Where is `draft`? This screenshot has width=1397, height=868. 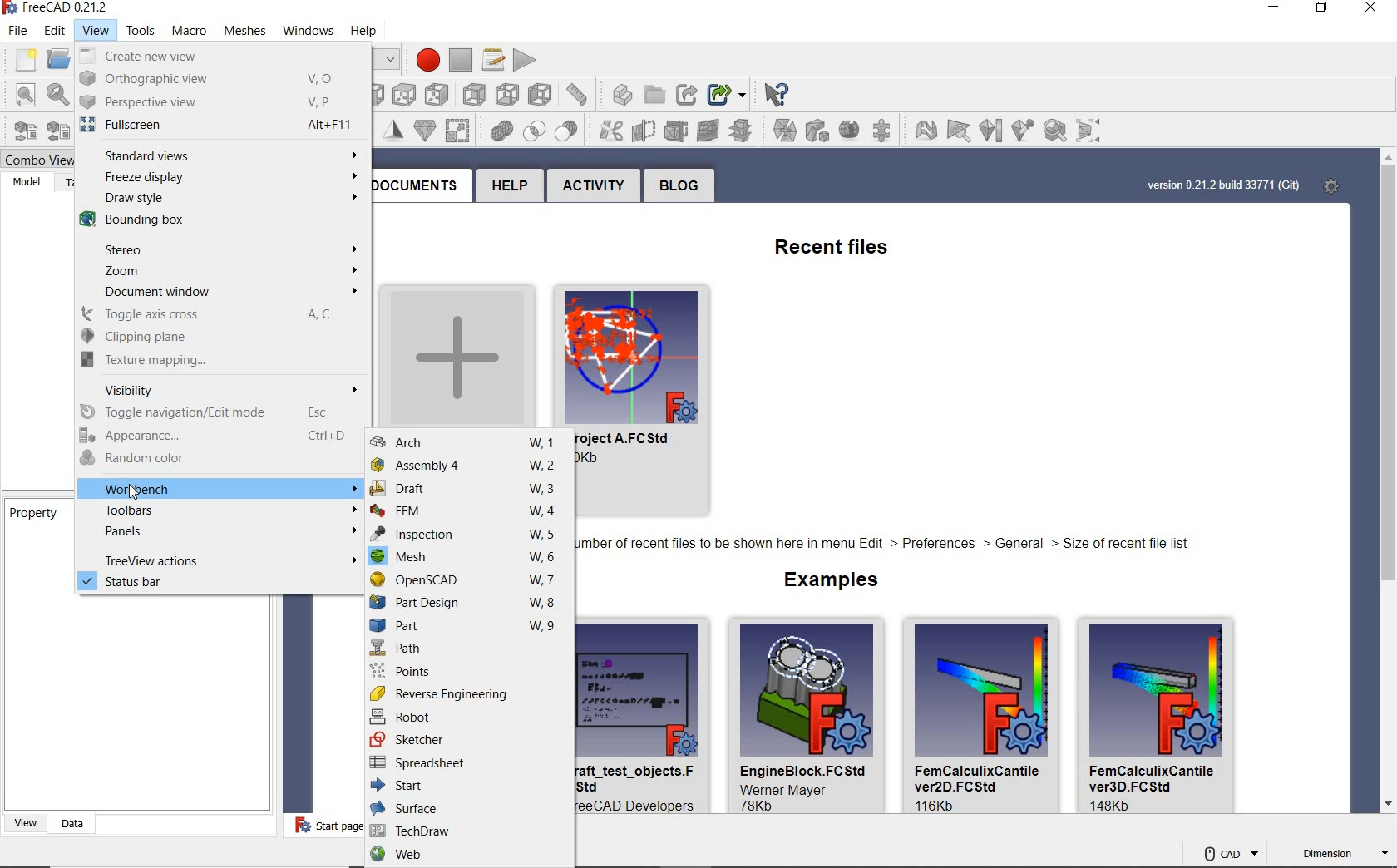
draft is located at coordinates (464, 489).